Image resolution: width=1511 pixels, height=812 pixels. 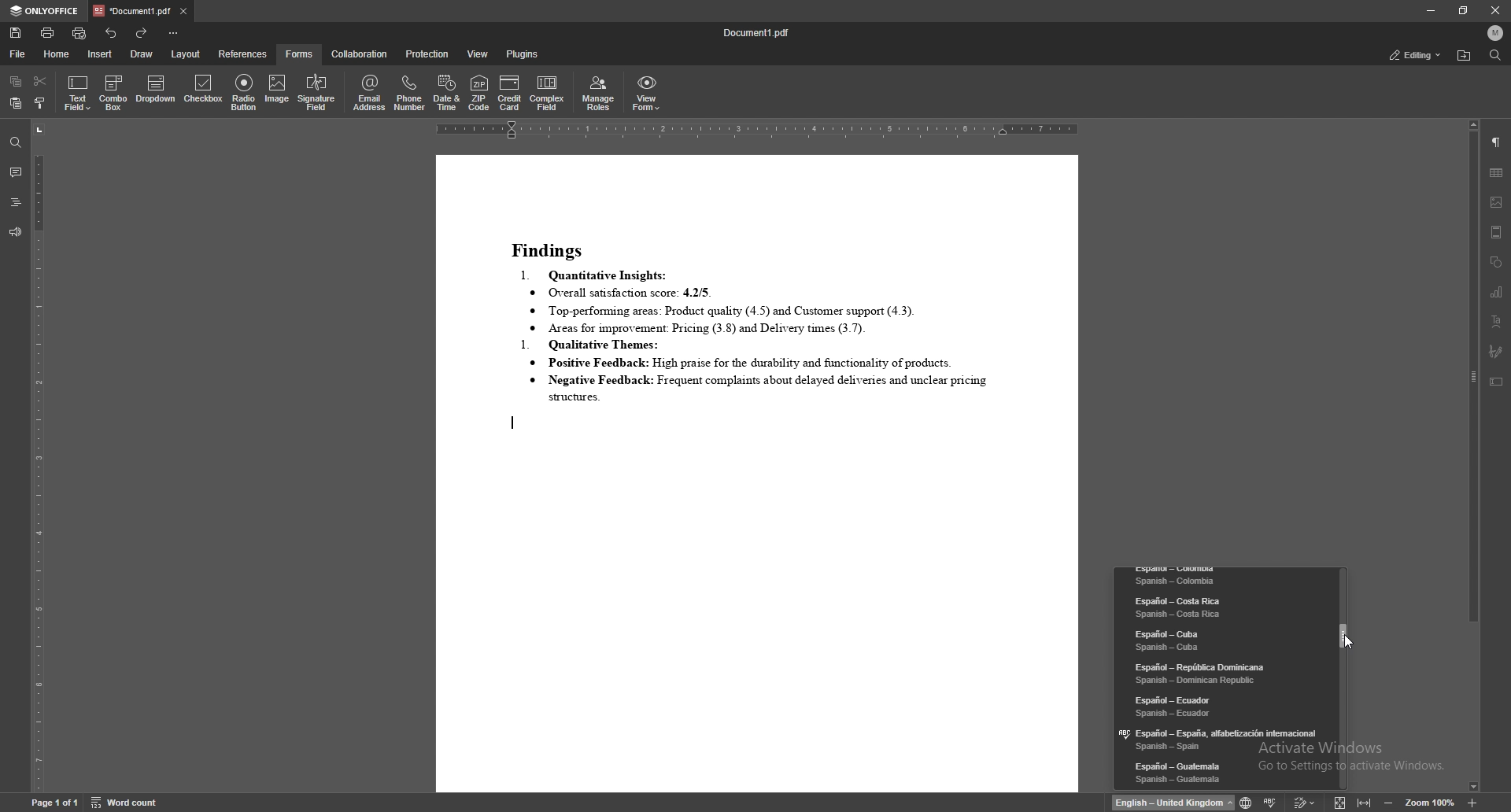 What do you see at coordinates (45, 11) in the screenshot?
I see `onlyoffice` at bounding box center [45, 11].